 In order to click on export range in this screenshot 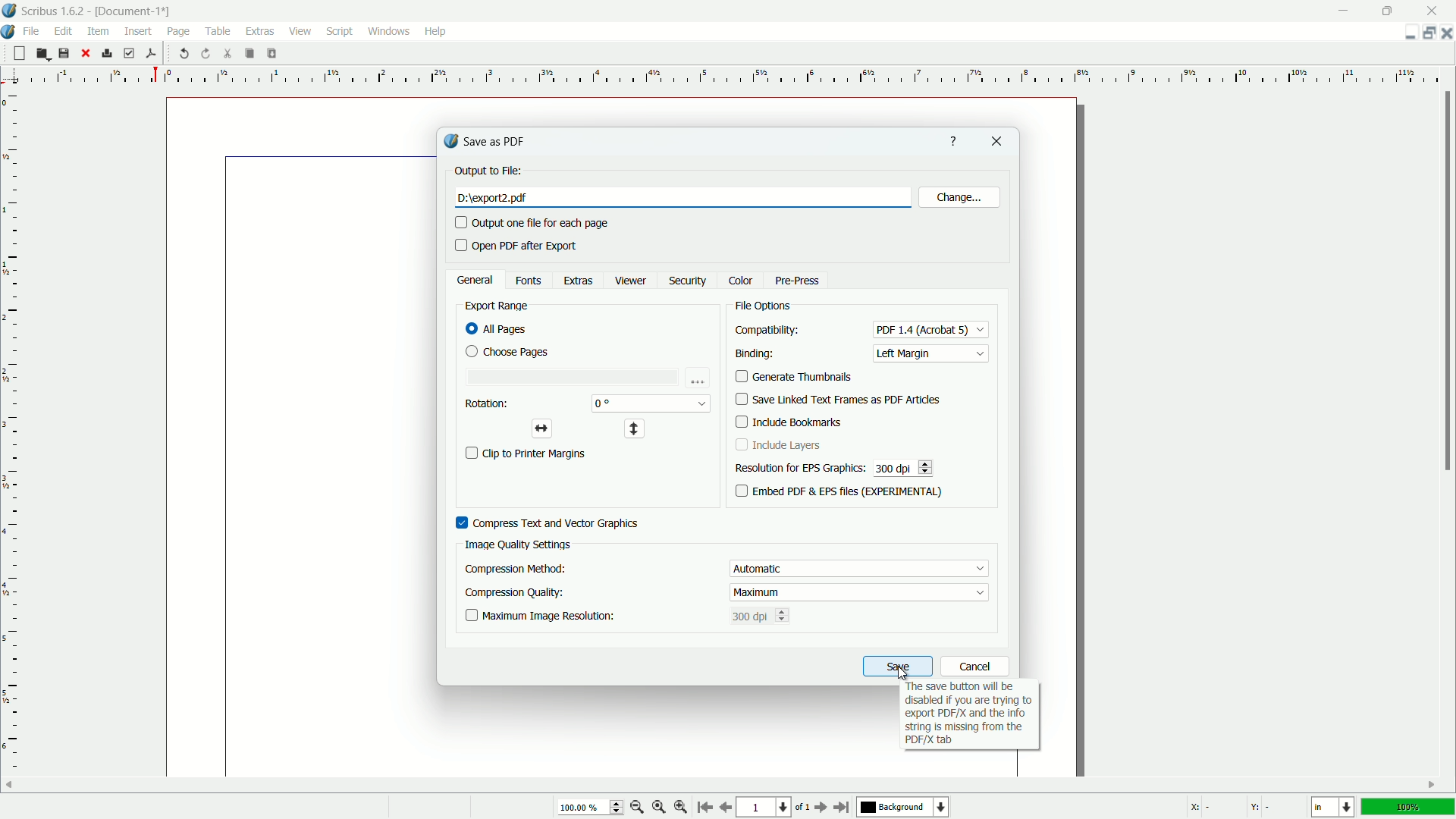, I will do `click(494, 306)`.